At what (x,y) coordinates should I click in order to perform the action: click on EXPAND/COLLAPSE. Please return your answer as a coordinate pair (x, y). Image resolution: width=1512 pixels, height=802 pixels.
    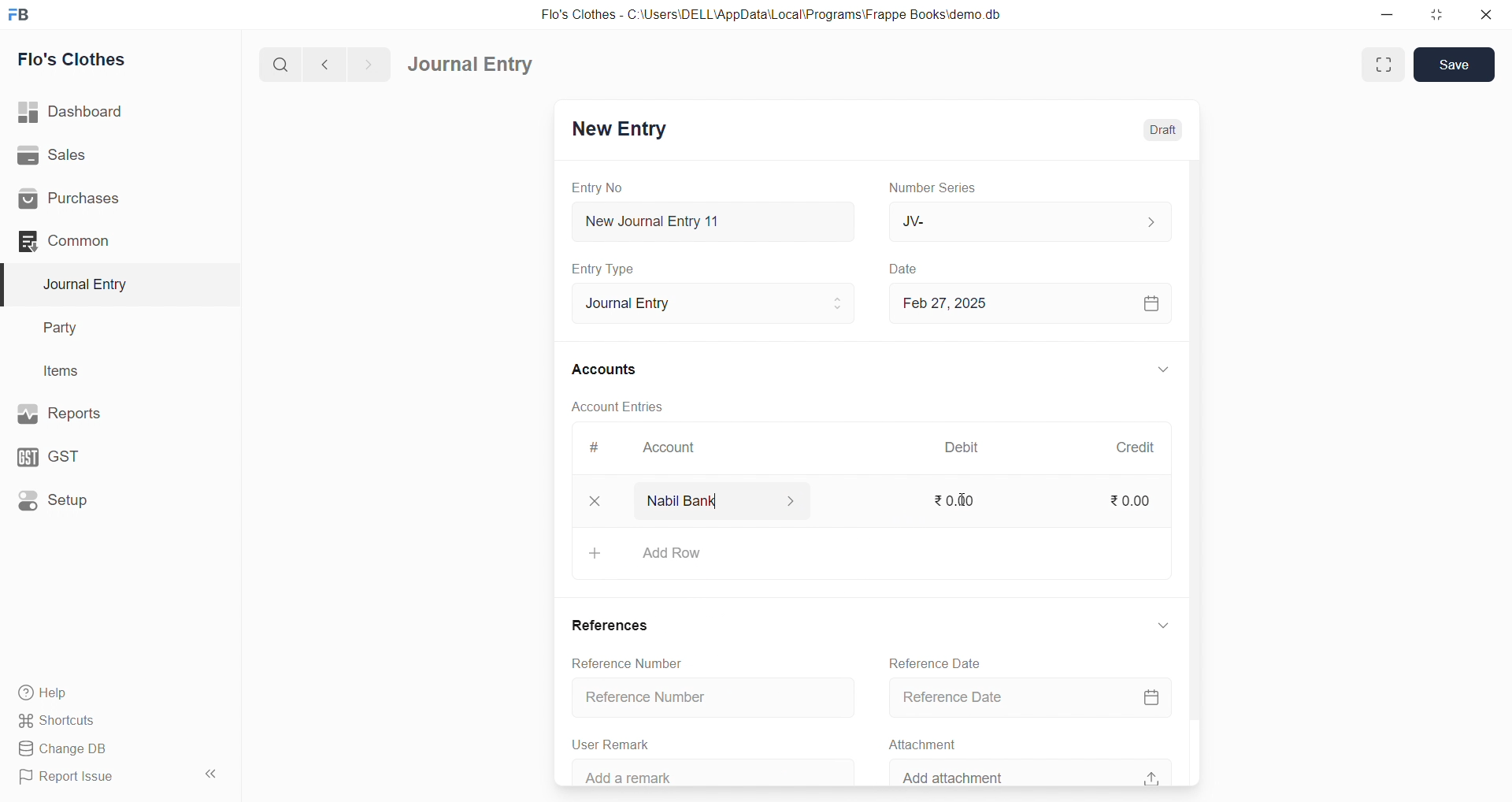
    Looking at the image, I should click on (1163, 629).